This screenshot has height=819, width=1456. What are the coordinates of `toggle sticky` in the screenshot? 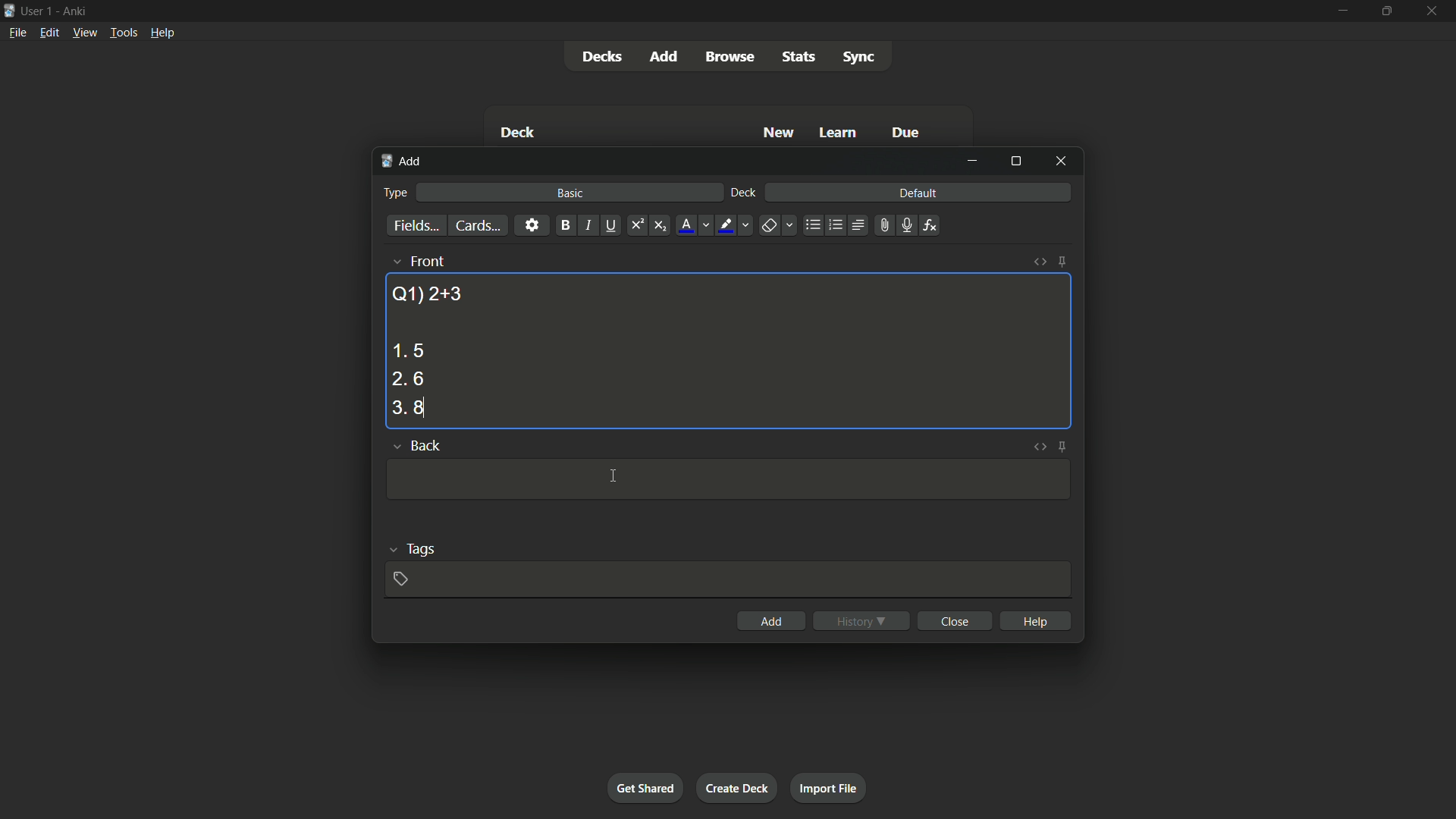 It's located at (1063, 447).